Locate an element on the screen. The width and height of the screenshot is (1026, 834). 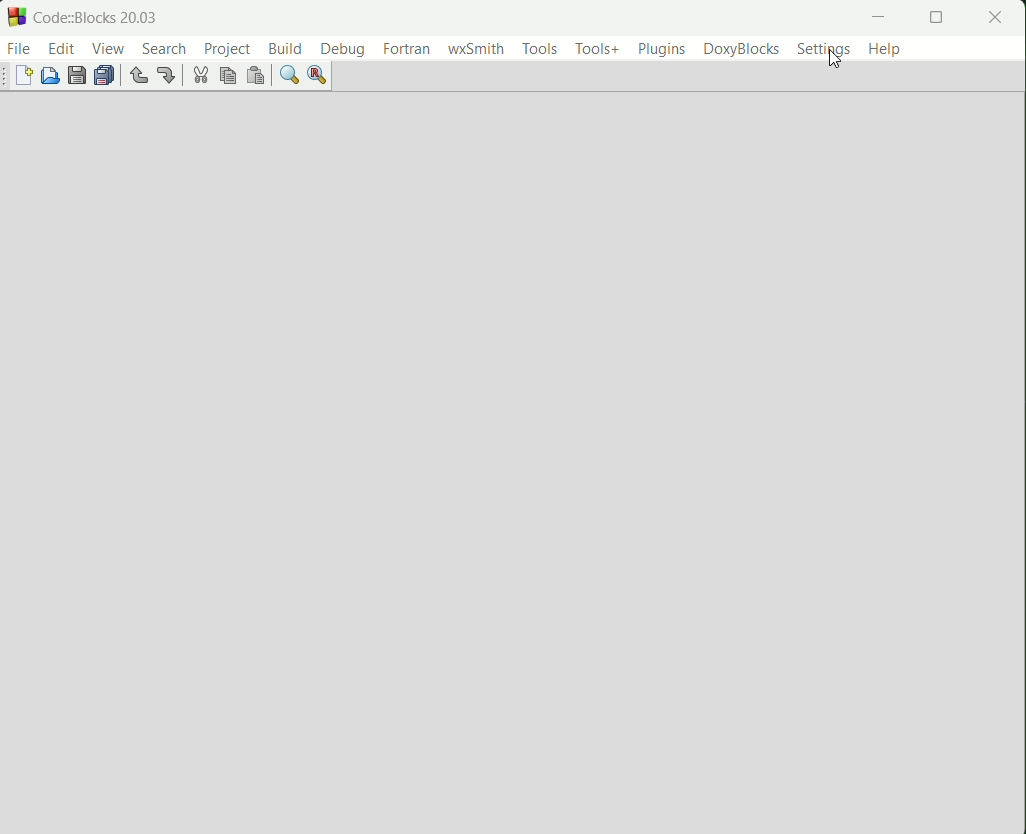
find is located at coordinates (290, 76).